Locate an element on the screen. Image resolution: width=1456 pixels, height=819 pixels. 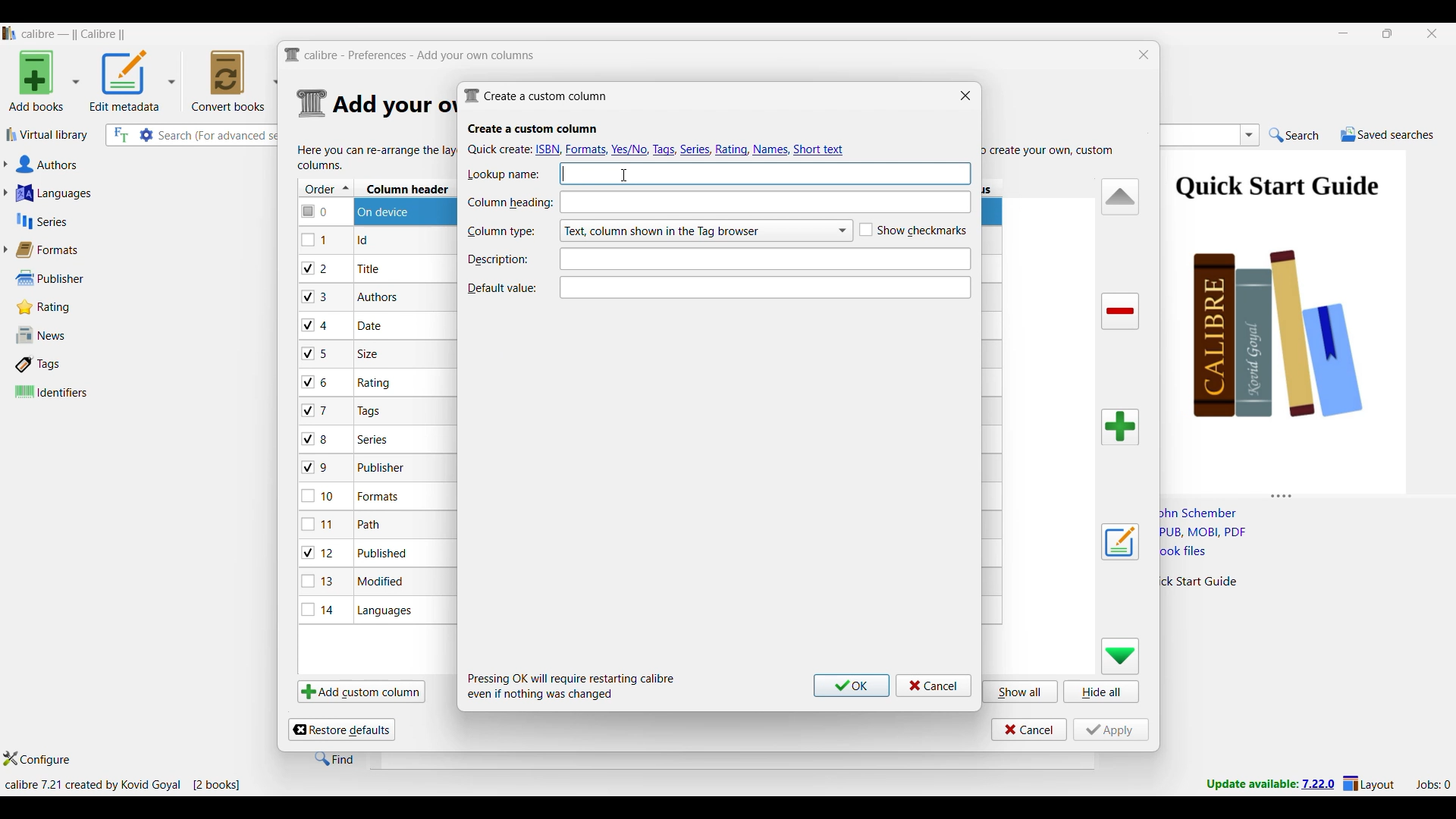
Show all is located at coordinates (1021, 691).